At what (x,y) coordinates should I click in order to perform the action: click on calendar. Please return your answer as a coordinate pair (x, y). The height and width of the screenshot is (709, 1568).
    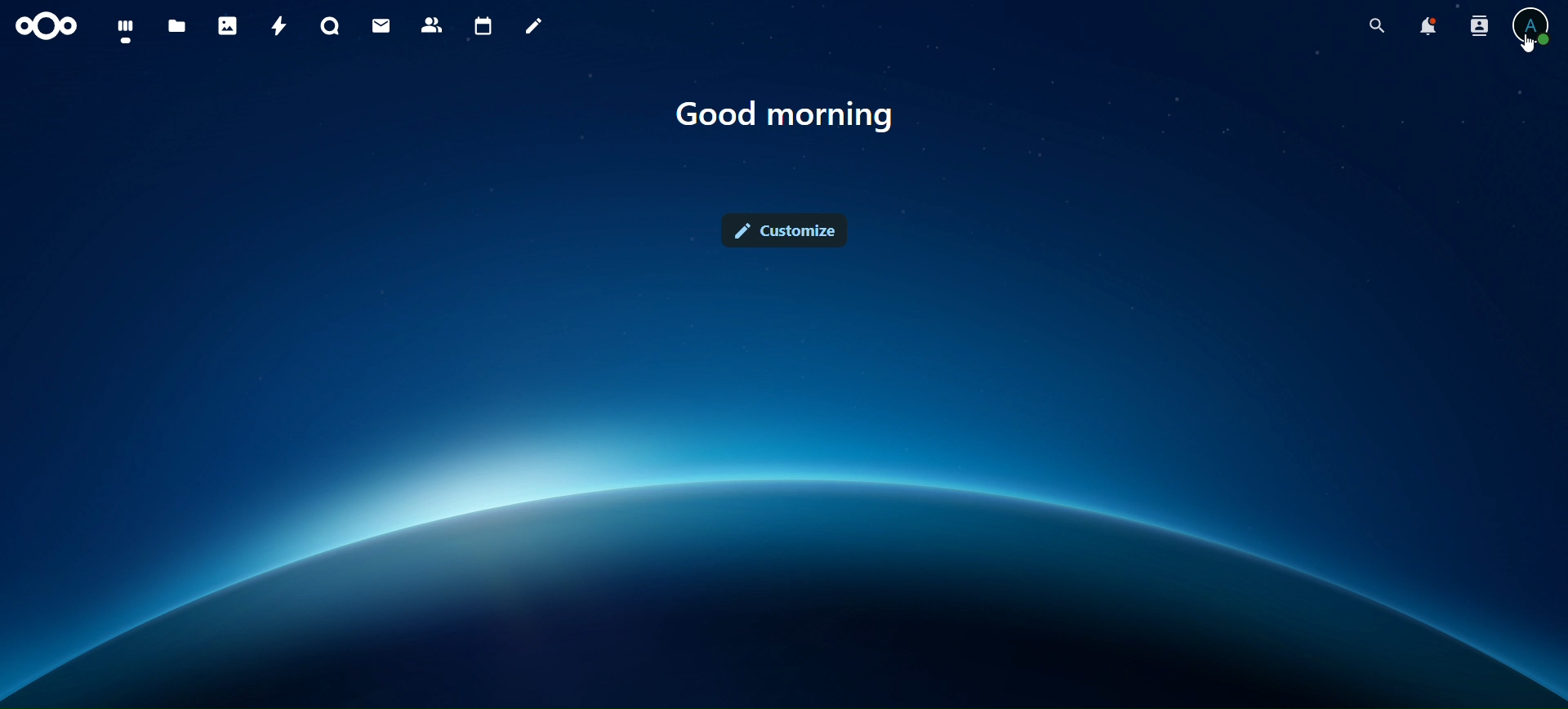
    Looking at the image, I should click on (481, 26).